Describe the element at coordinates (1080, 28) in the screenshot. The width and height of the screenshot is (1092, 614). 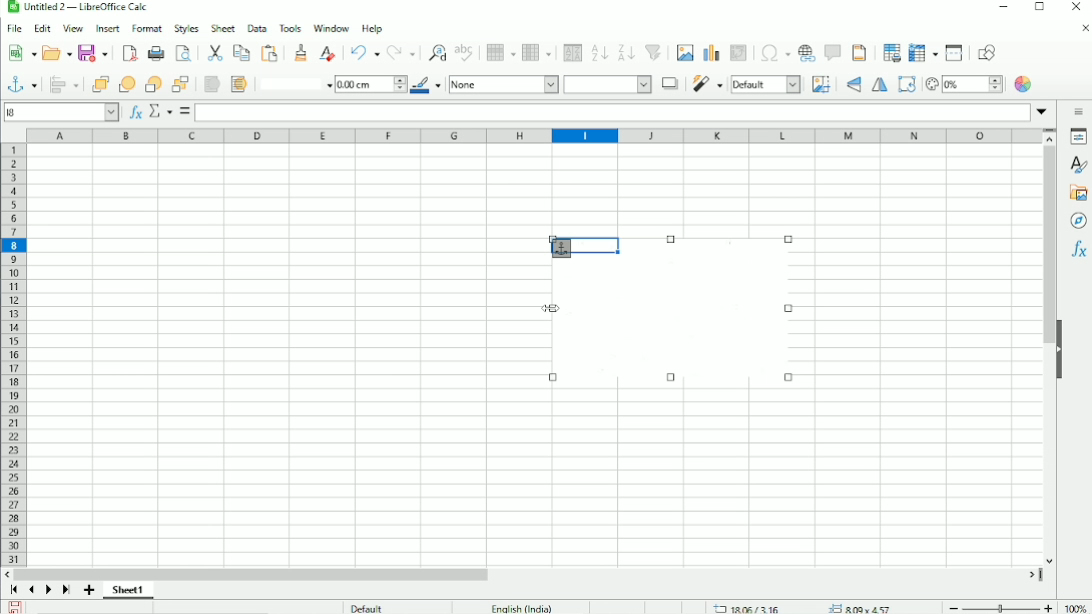
I see `Close document` at that location.